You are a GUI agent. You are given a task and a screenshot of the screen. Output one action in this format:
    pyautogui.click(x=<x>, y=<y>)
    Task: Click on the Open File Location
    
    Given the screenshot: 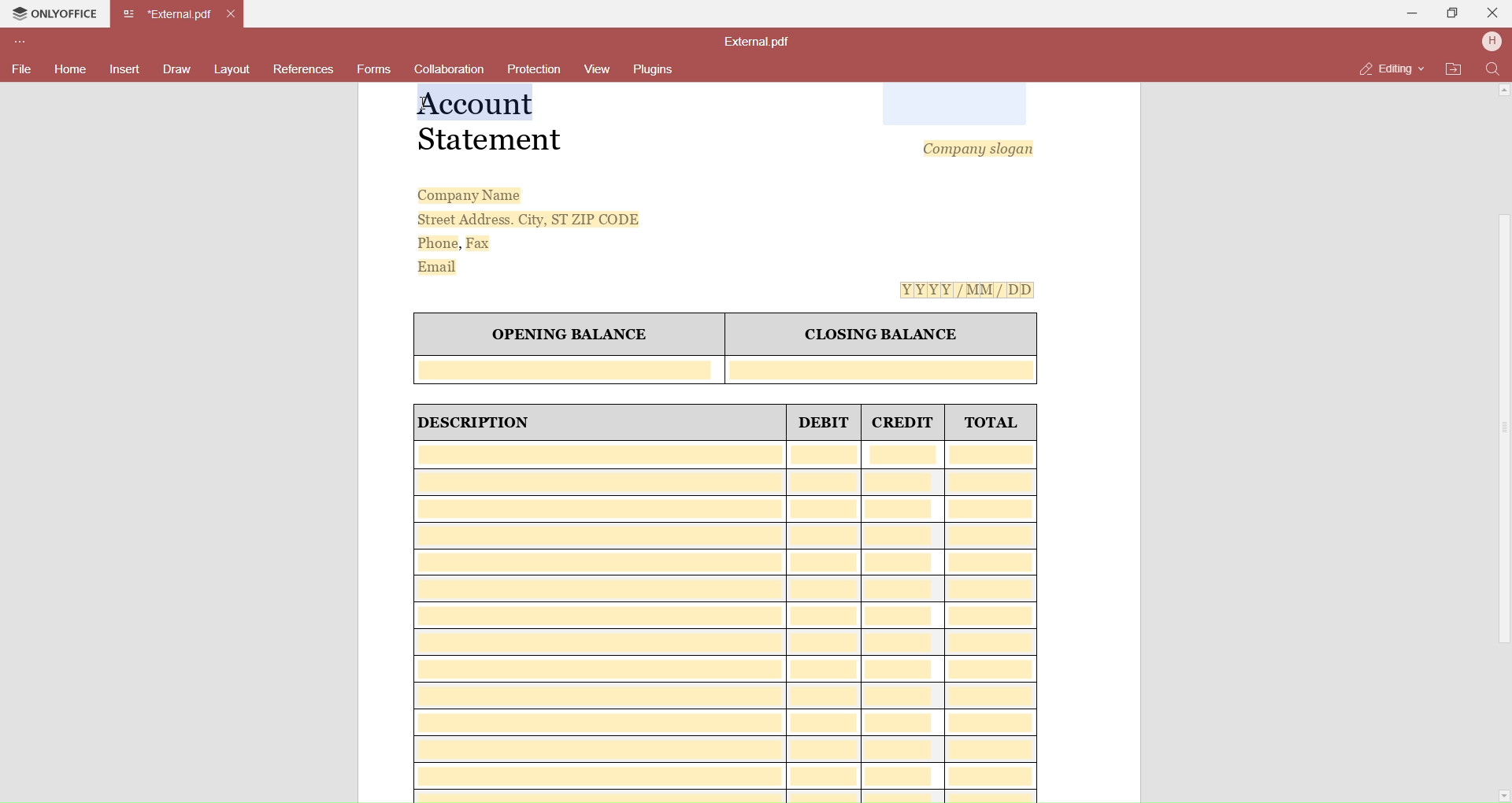 What is the action you would take?
    pyautogui.click(x=1455, y=70)
    